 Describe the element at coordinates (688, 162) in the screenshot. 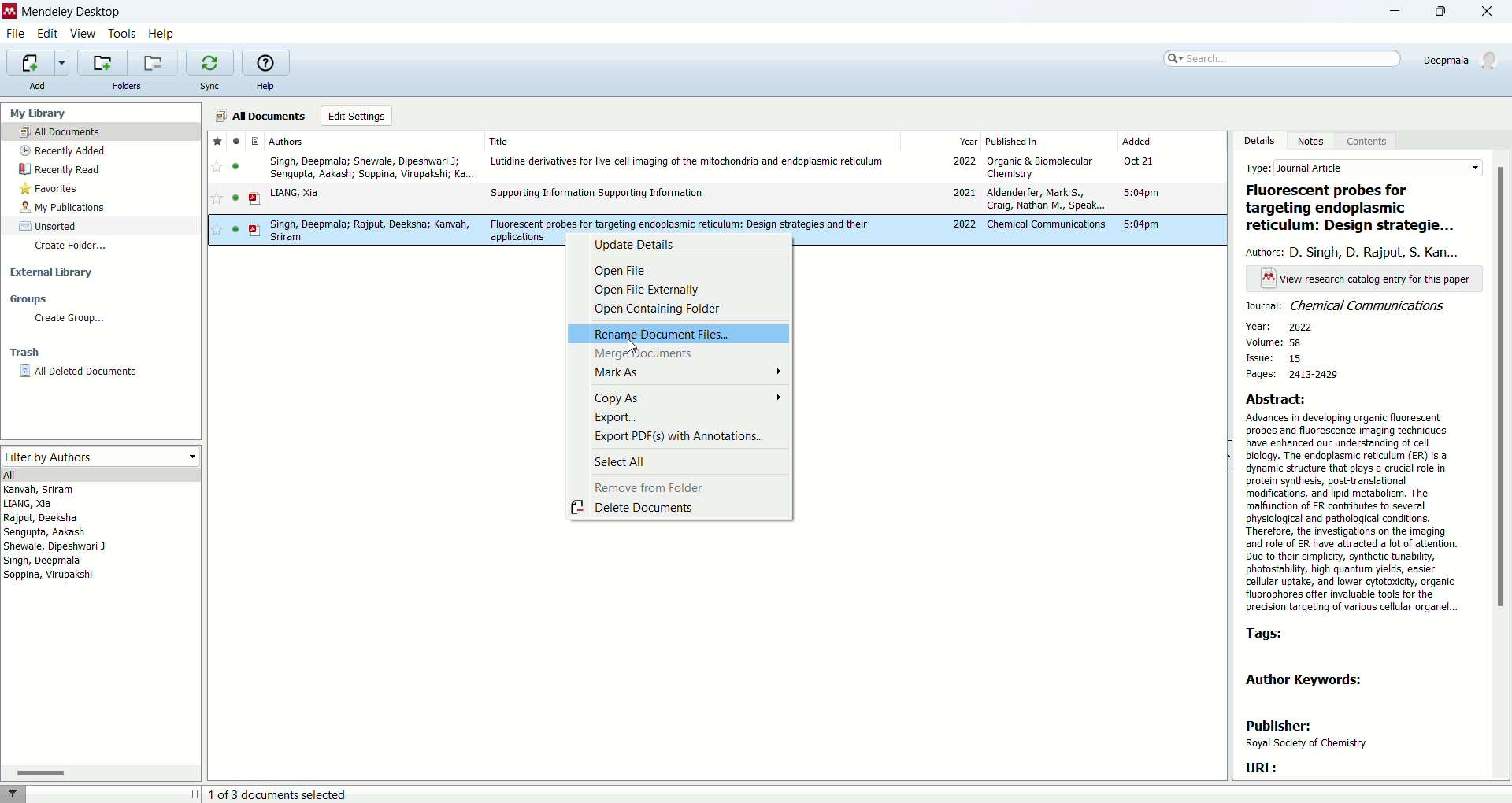

I see `Lutidine derivatives for live-cell imaging of the mitochondria and endoplasmic reticulum` at that location.